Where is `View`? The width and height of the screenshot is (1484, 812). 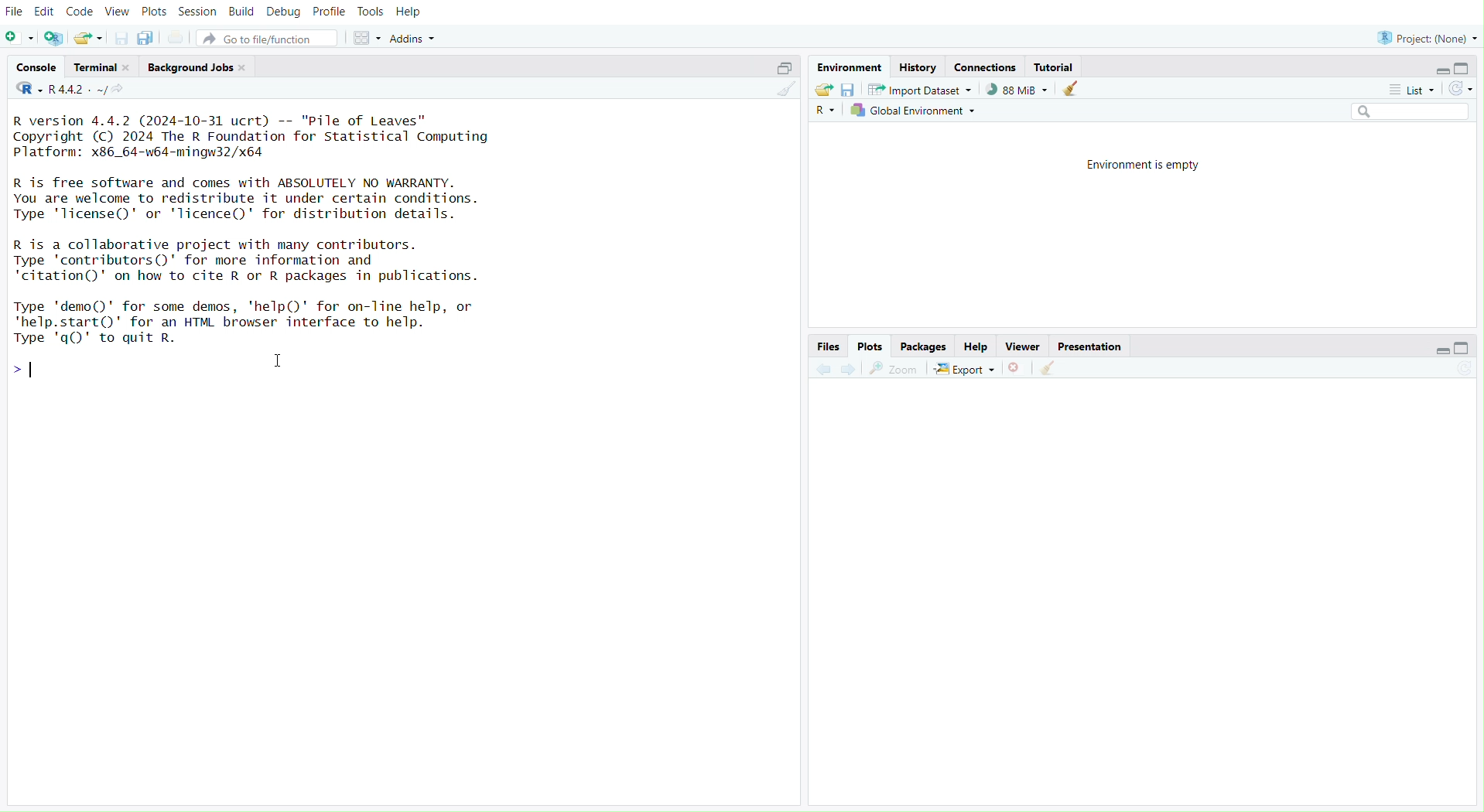
View is located at coordinates (115, 11).